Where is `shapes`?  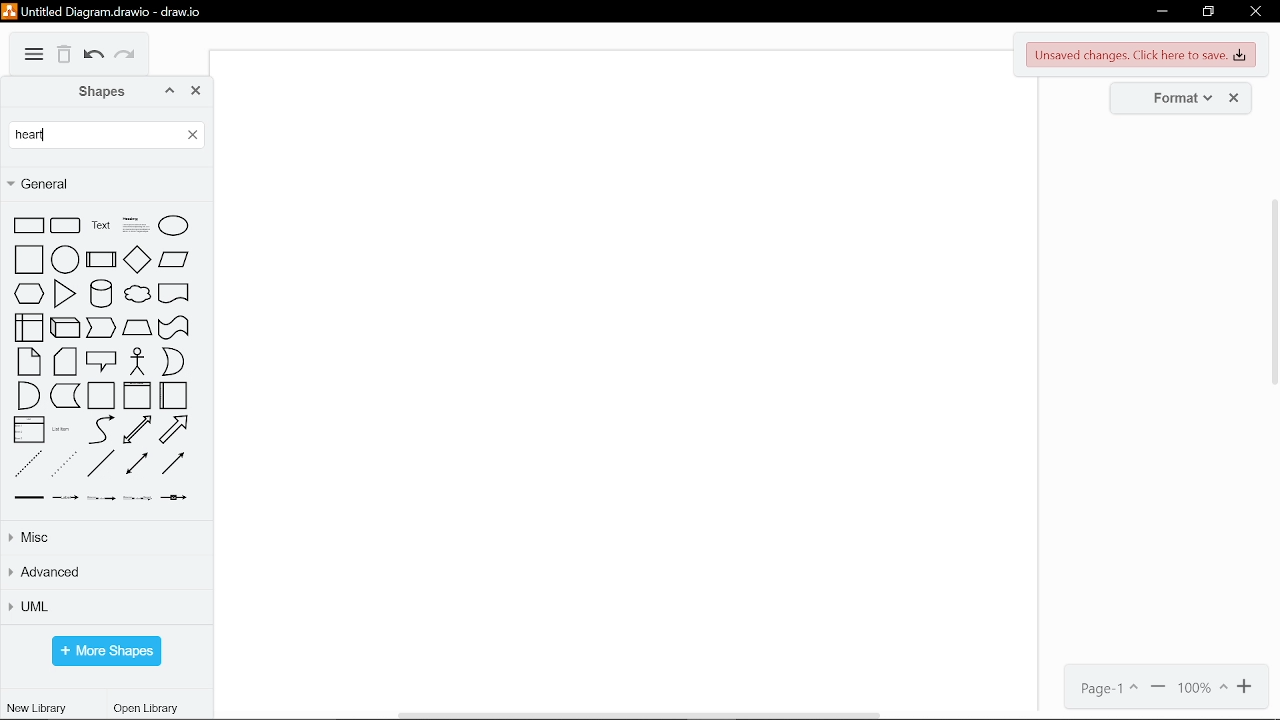 shapes is located at coordinates (91, 91).